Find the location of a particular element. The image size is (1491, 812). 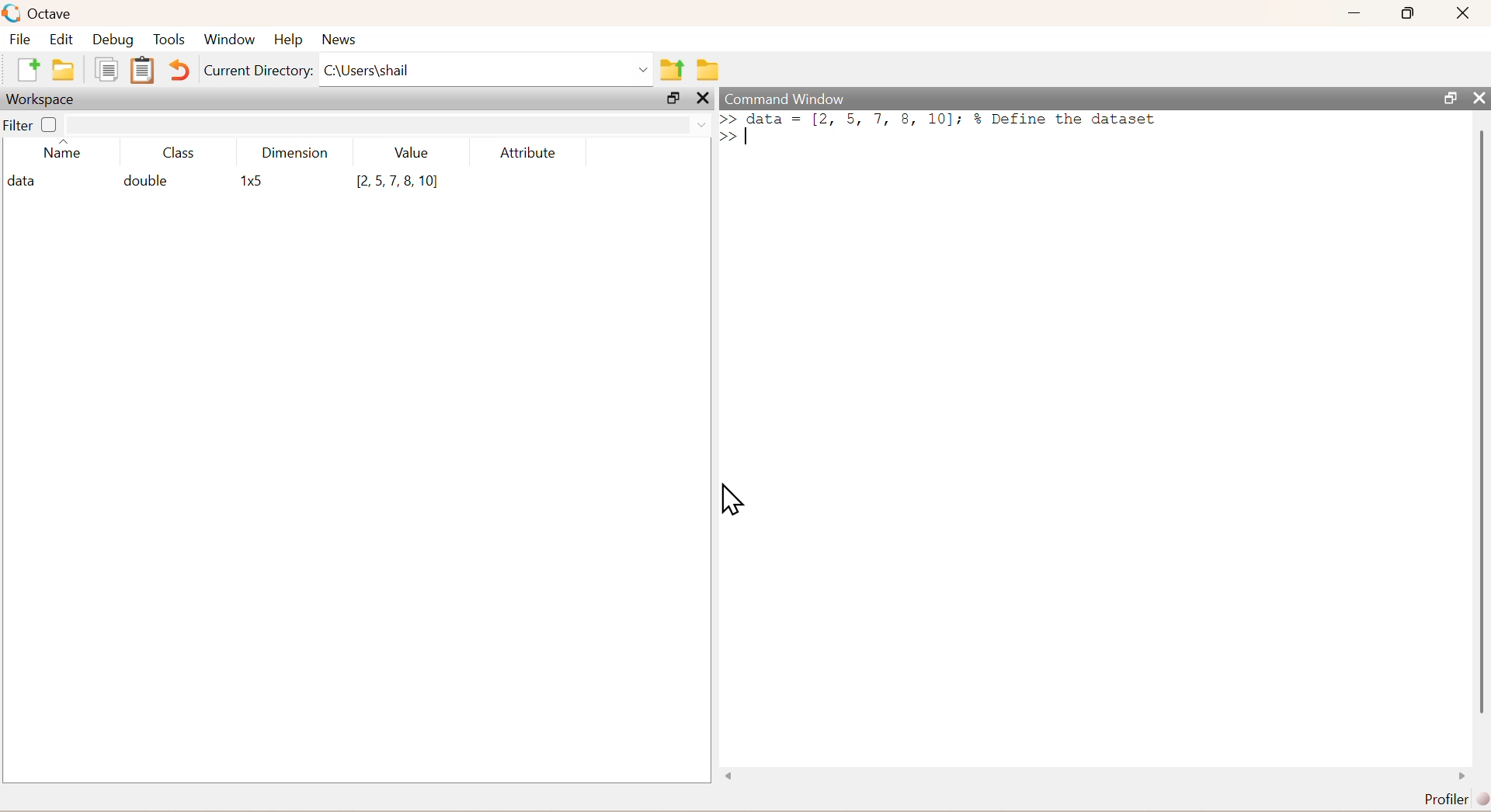

Drop-down  is located at coordinates (703, 125).